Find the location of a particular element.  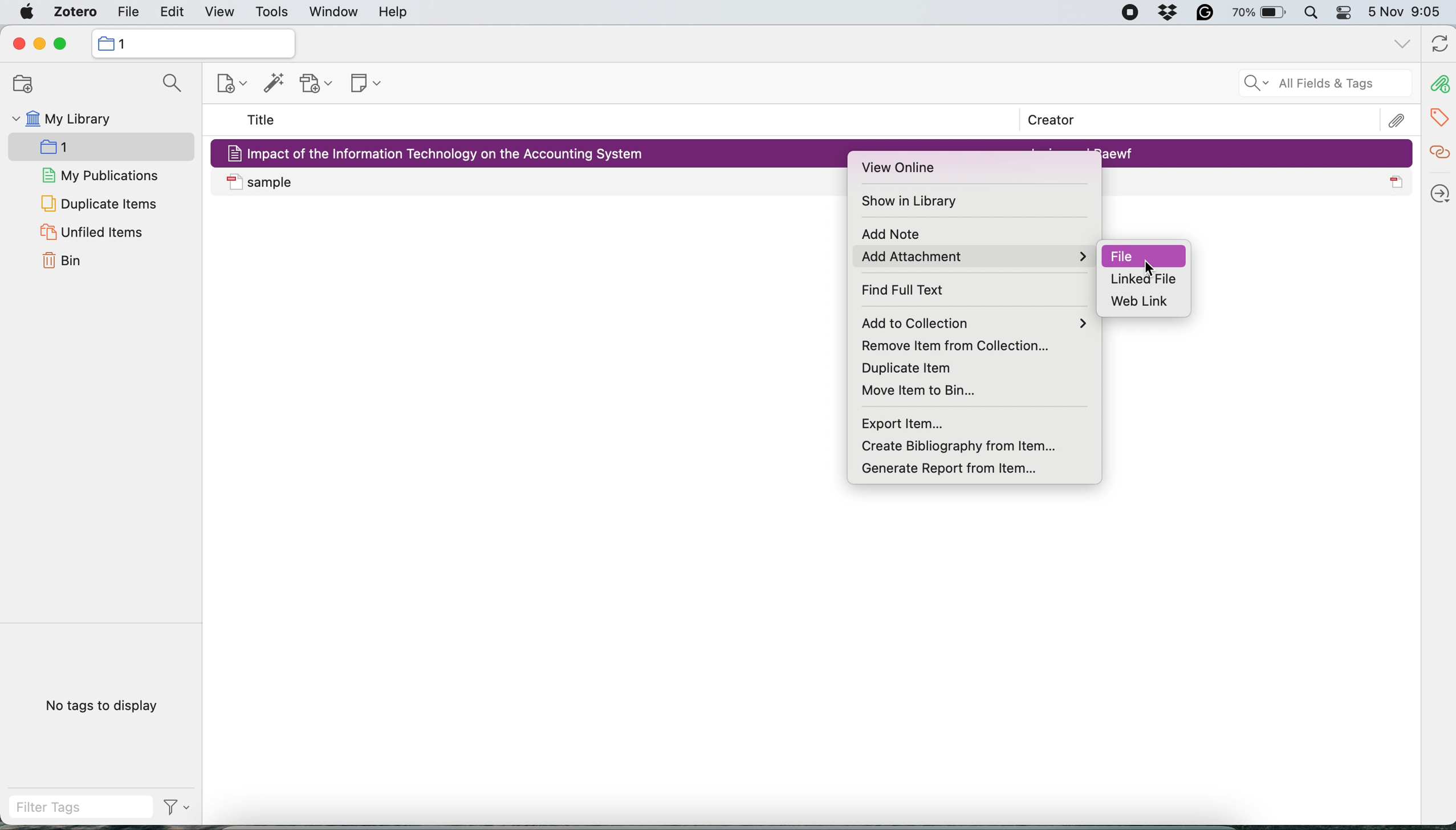

move item to bin is located at coordinates (930, 389).